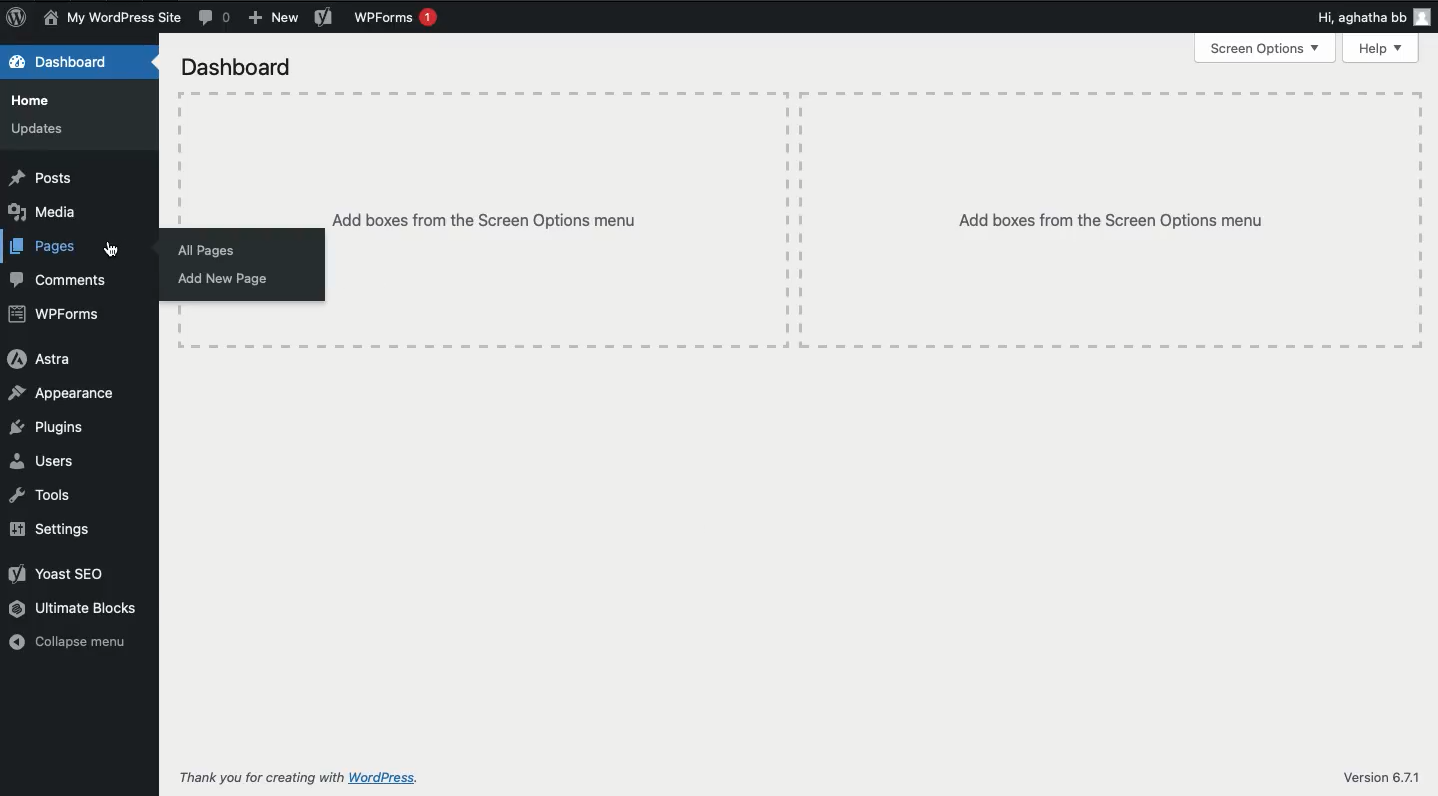 This screenshot has height=796, width=1438. What do you see at coordinates (40, 461) in the screenshot?
I see `Users` at bounding box center [40, 461].